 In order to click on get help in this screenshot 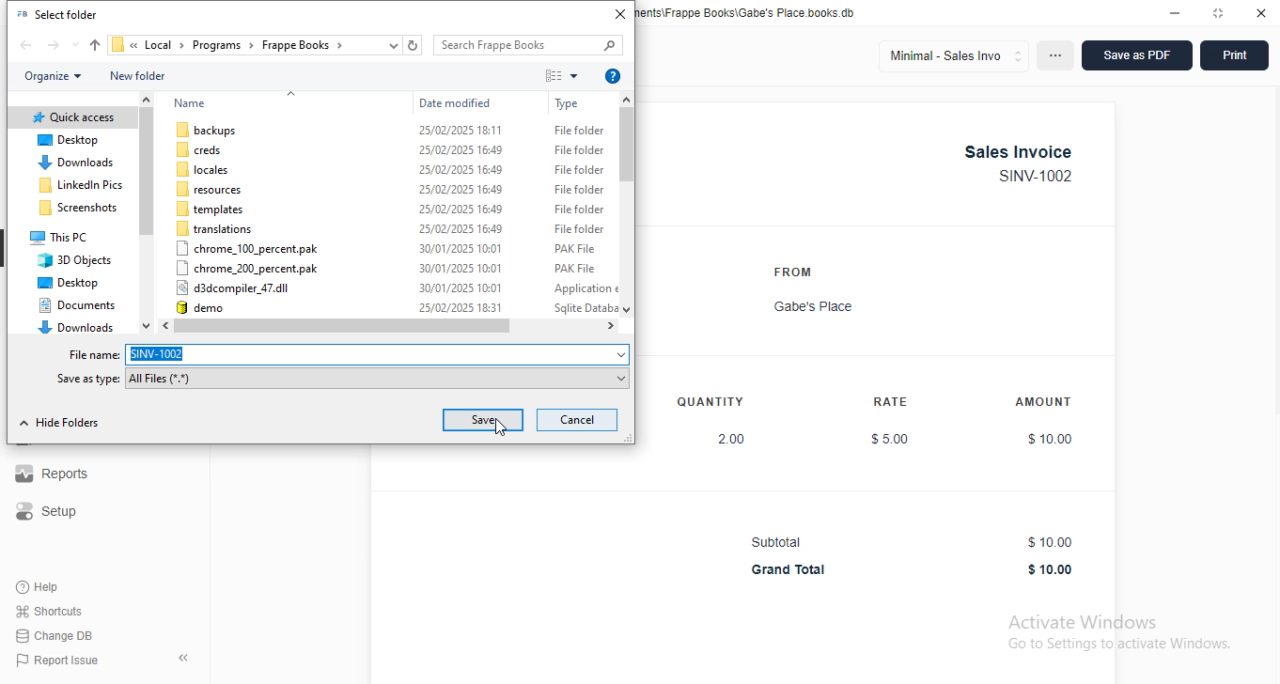, I will do `click(613, 76)`.